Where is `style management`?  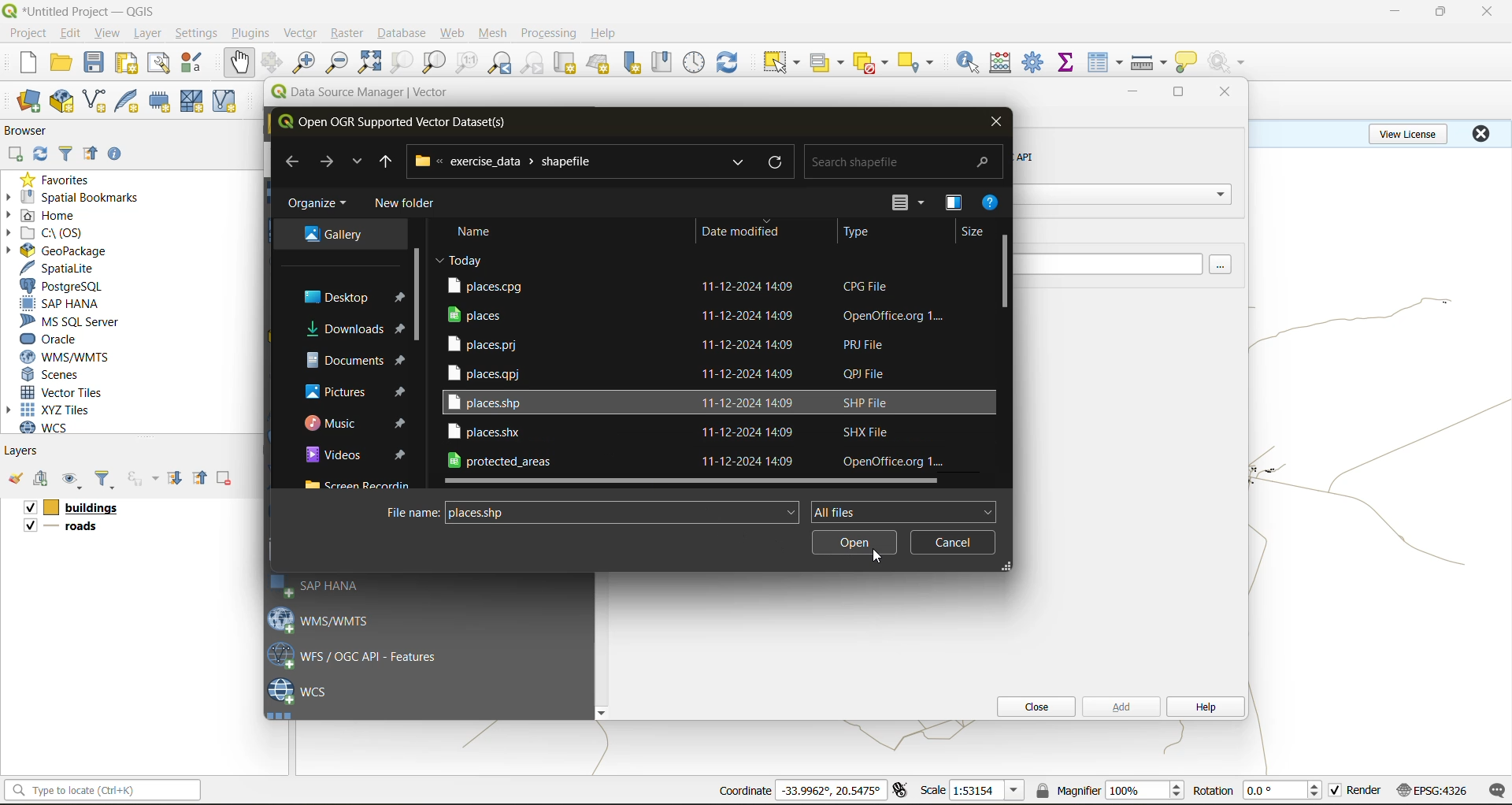 style management is located at coordinates (196, 62).